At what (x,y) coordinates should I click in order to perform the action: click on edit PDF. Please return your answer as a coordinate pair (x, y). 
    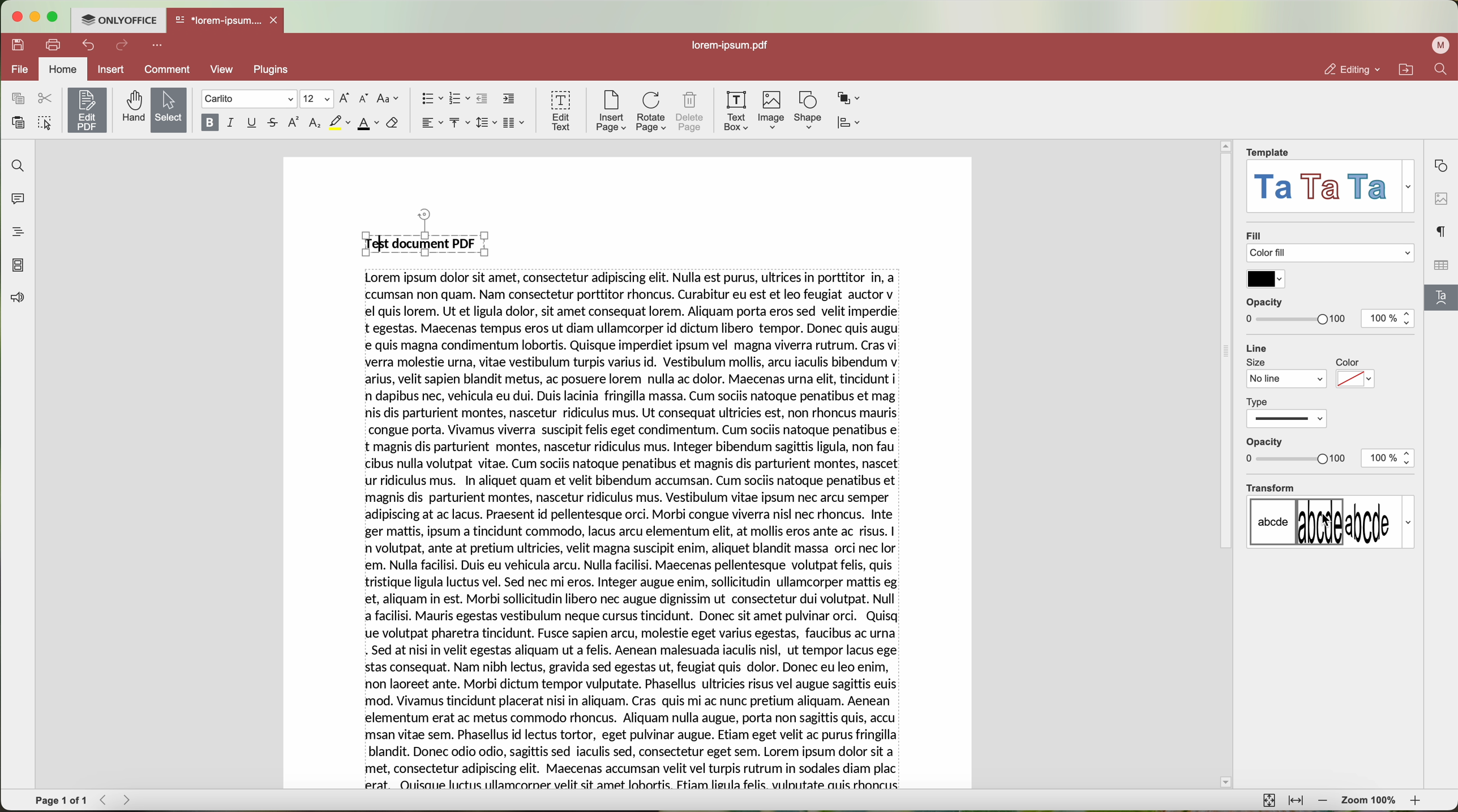
    Looking at the image, I should click on (85, 110).